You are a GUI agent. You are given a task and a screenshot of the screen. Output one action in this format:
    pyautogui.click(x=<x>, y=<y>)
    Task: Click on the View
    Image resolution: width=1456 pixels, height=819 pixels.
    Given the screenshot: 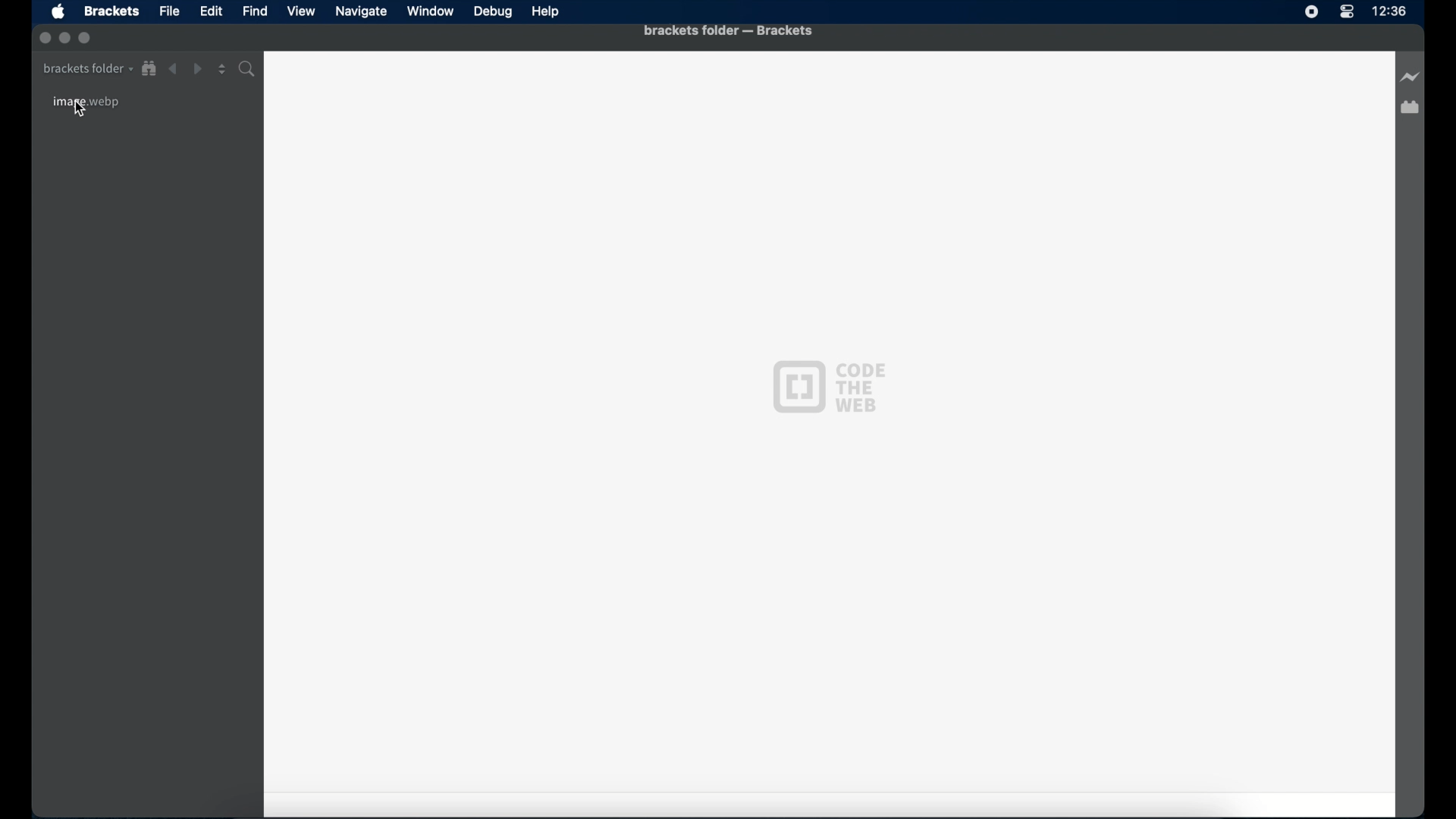 What is the action you would take?
    pyautogui.click(x=303, y=11)
    